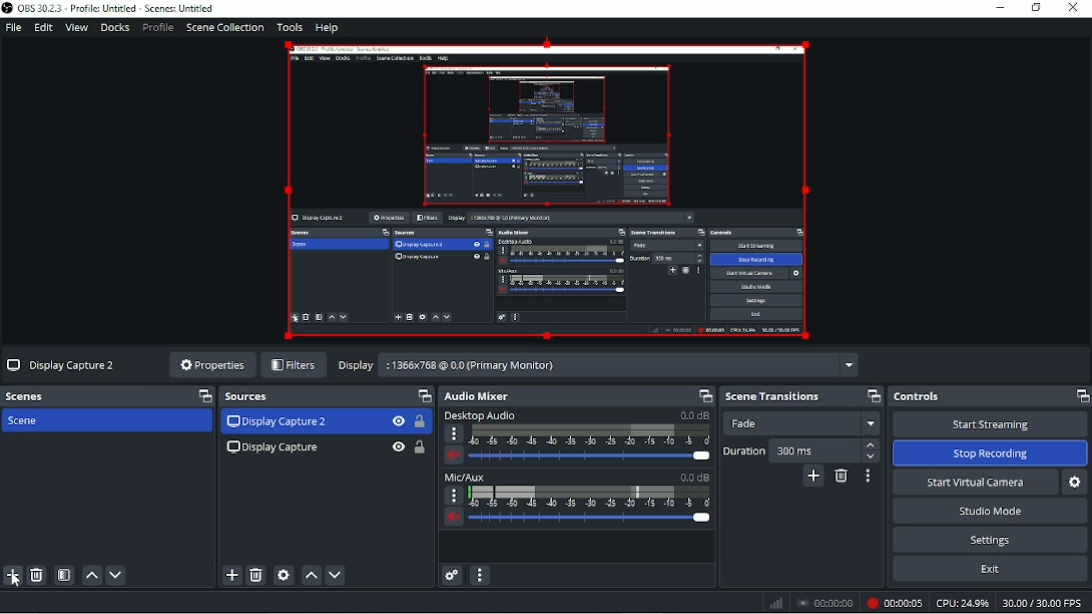 Image resolution: width=1092 pixels, height=614 pixels. I want to click on Maximize, so click(422, 394).